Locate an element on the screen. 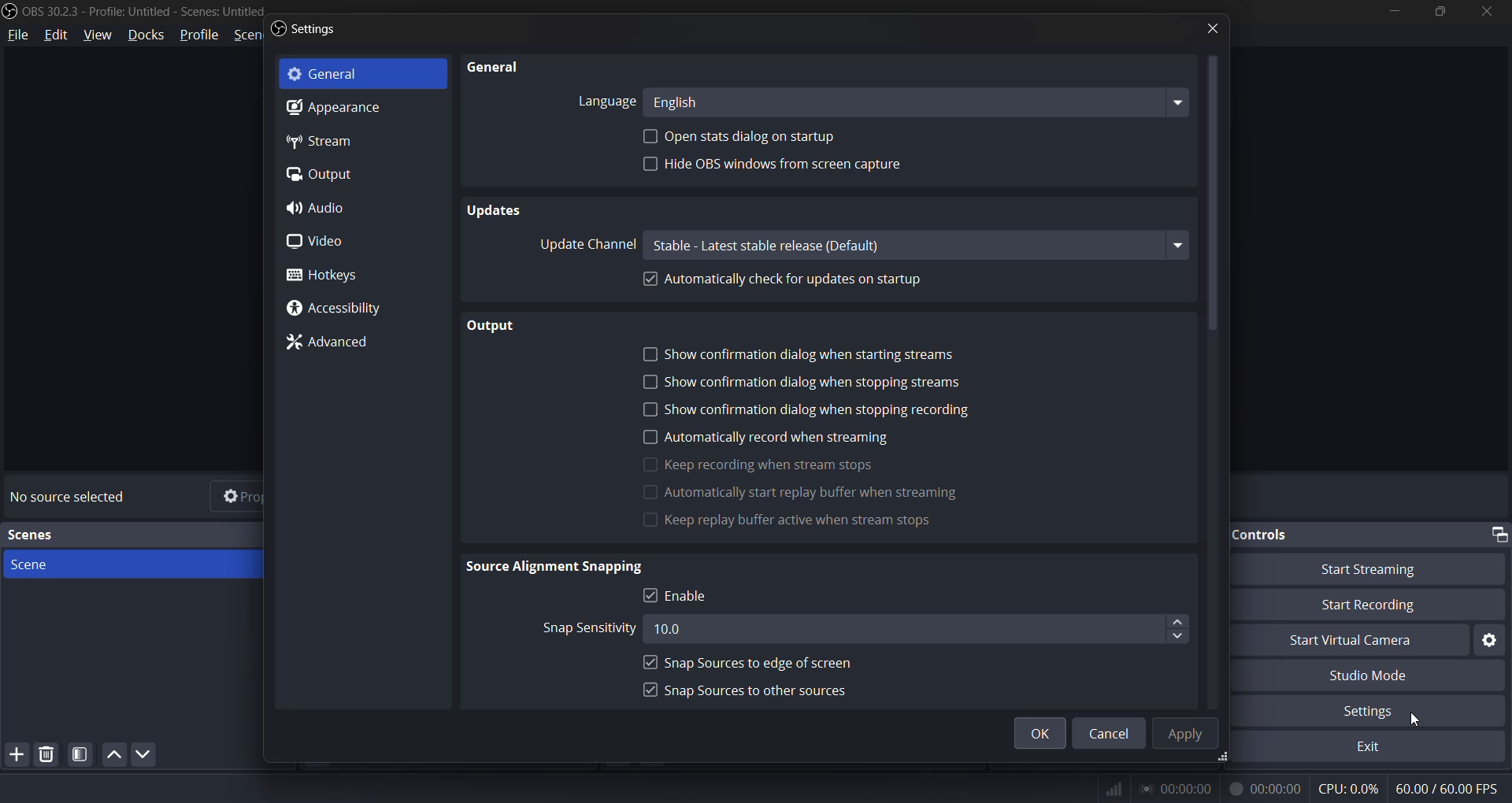  video is located at coordinates (313, 241).